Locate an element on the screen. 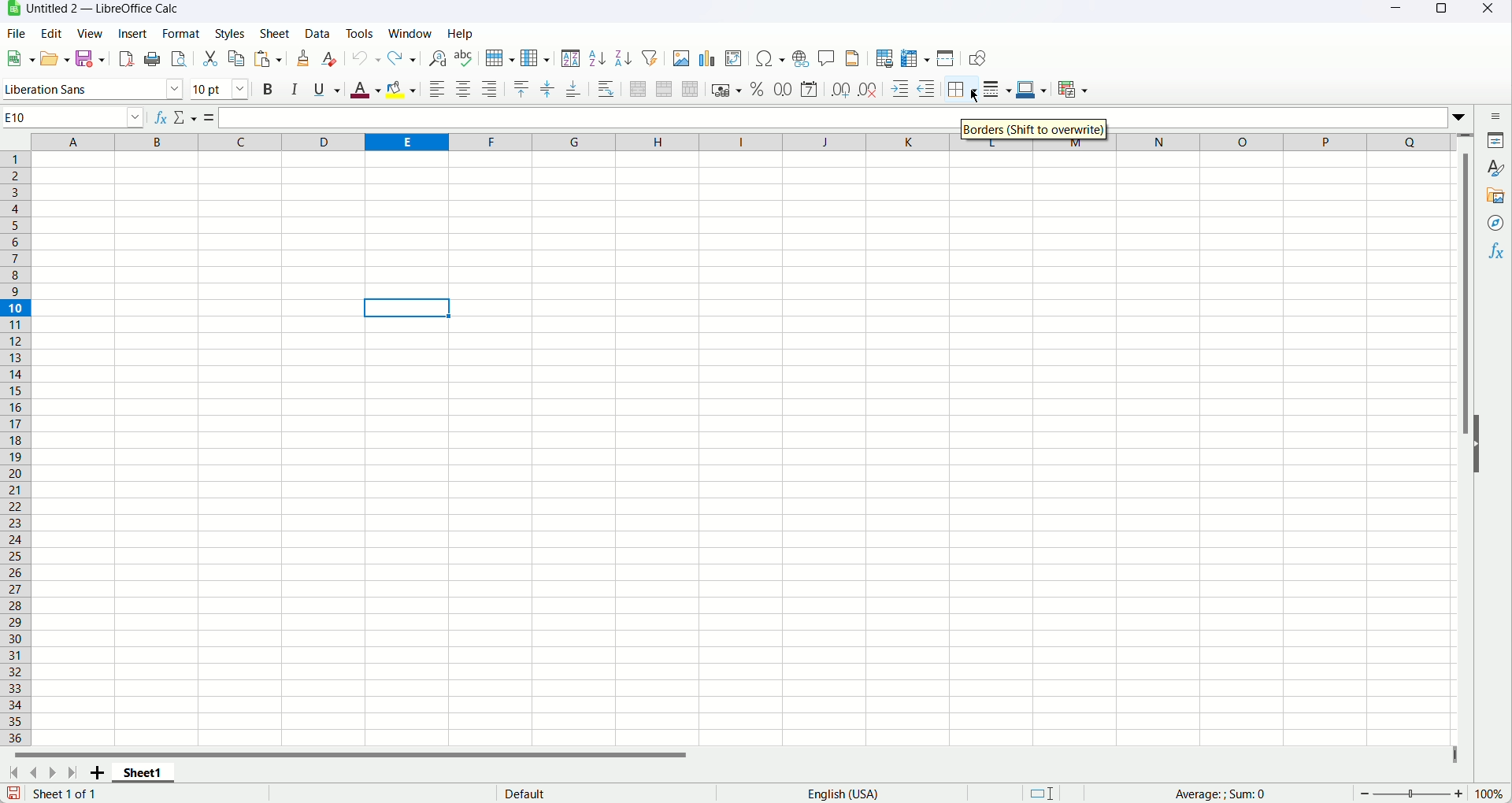 The image size is (1512, 803). Background color is located at coordinates (401, 91).